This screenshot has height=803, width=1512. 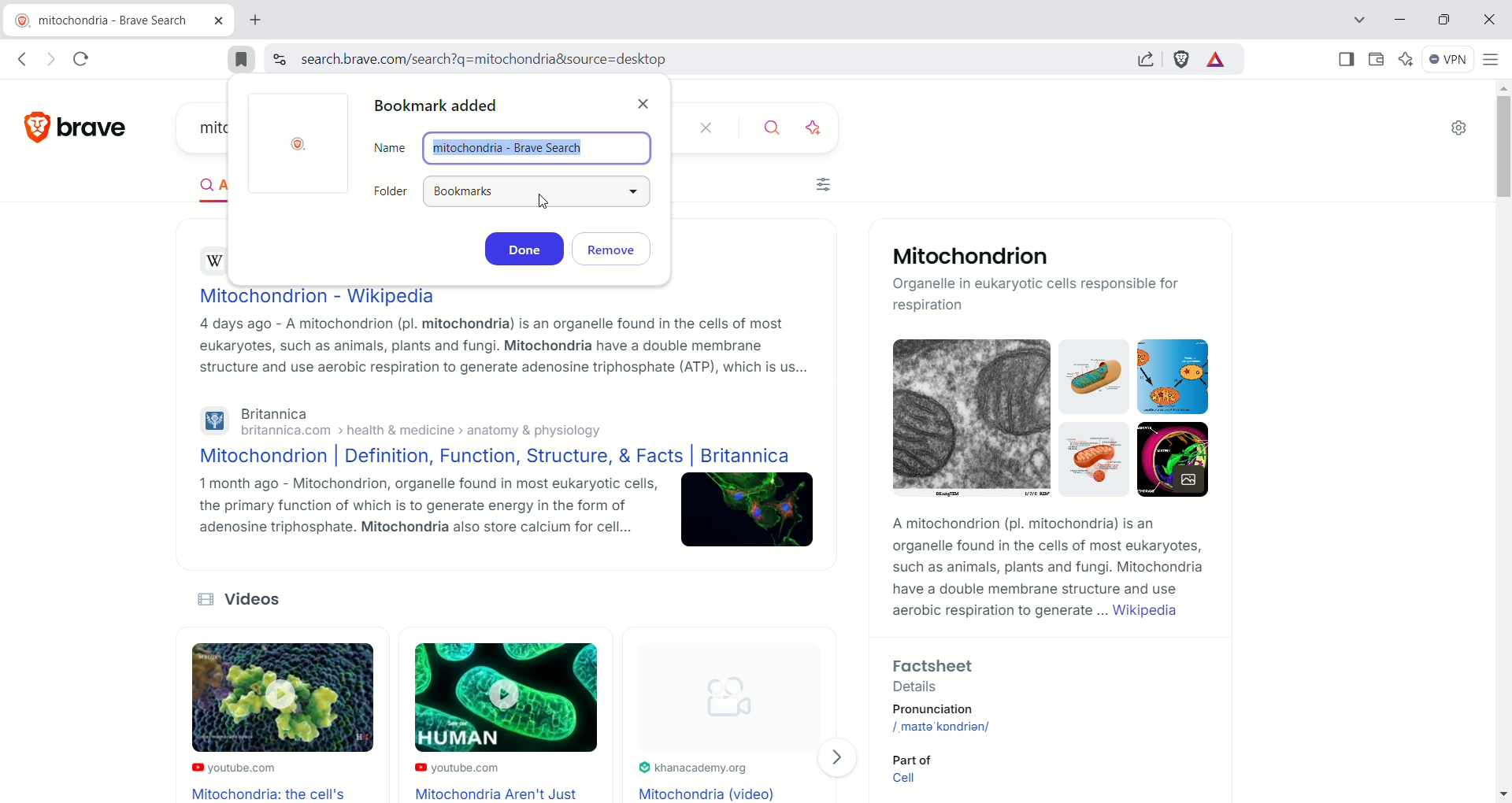 I want to click on close tab, so click(x=218, y=22).